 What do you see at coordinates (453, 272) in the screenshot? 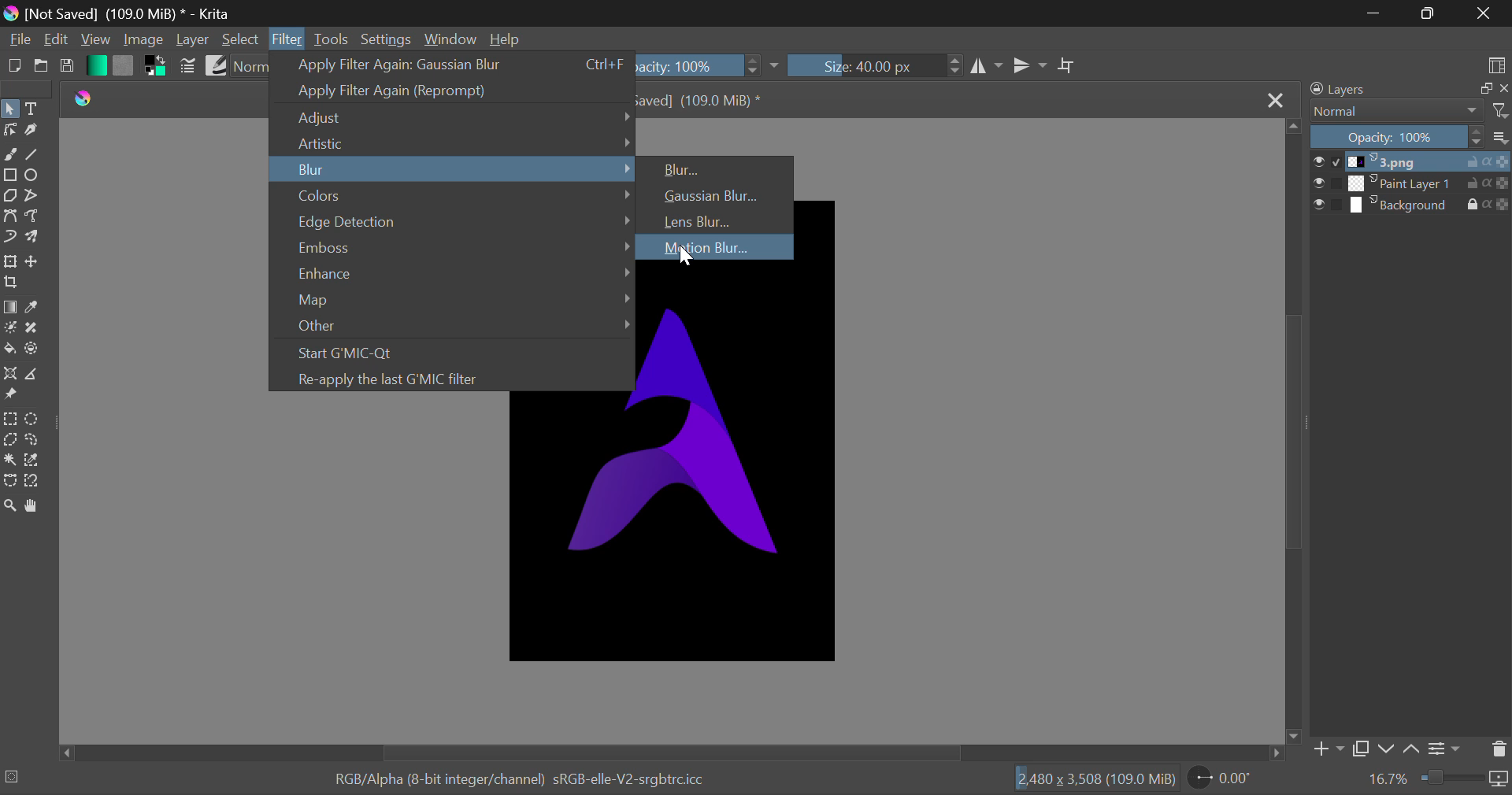
I see `Enhance` at bounding box center [453, 272].